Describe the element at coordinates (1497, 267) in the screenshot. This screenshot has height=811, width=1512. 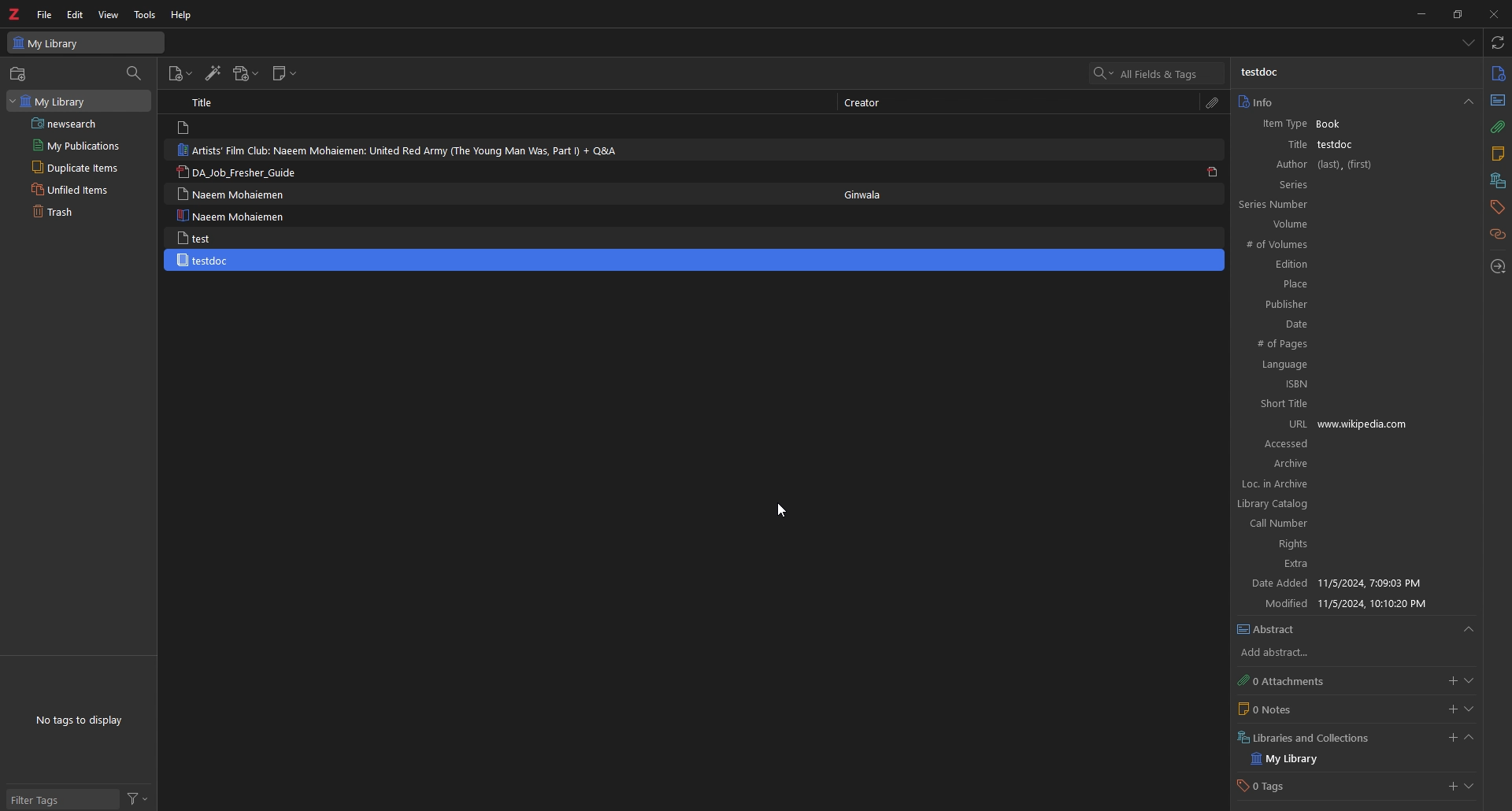
I see `locate` at that location.